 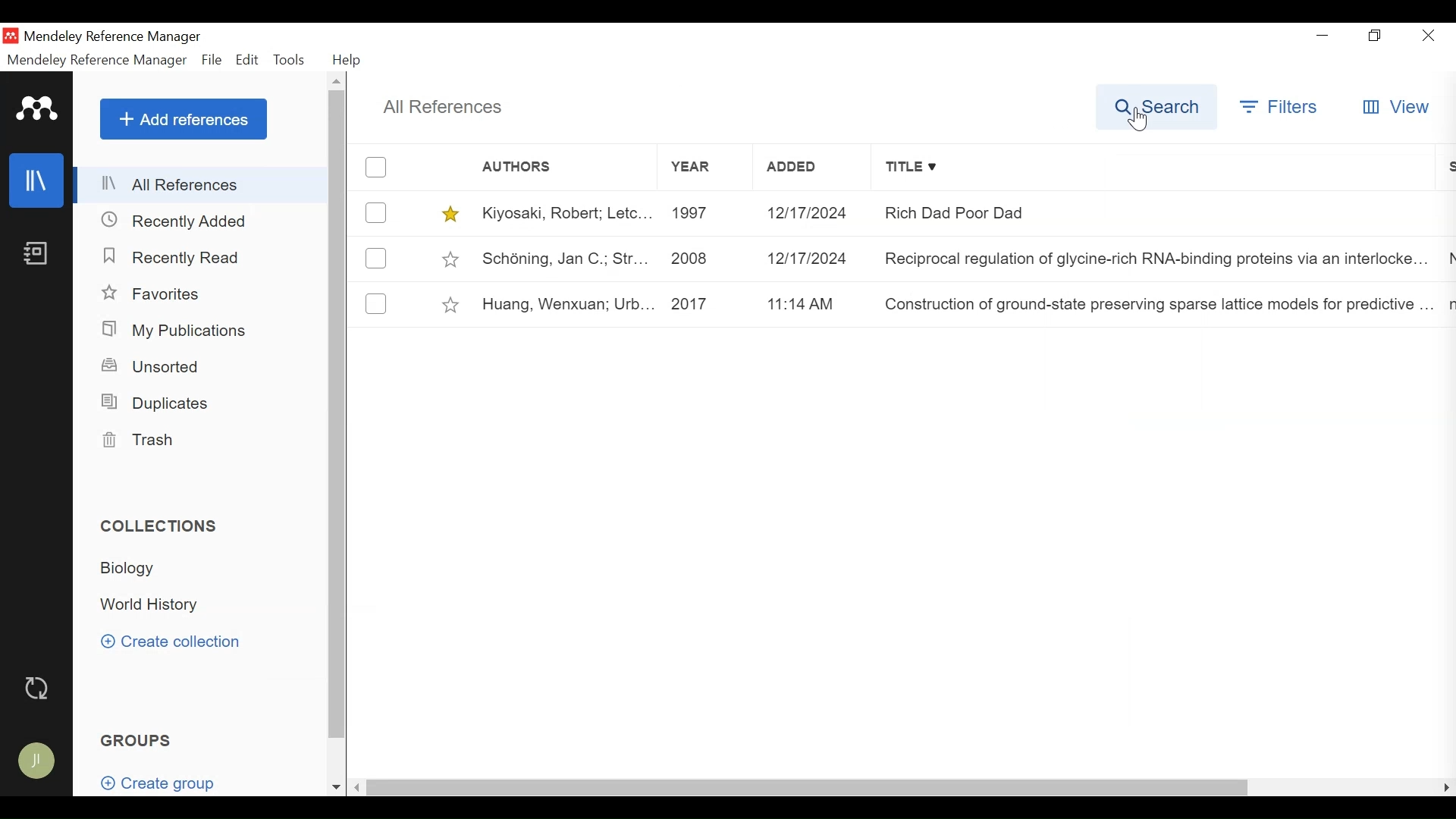 I want to click on Create Collections, so click(x=174, y=643).